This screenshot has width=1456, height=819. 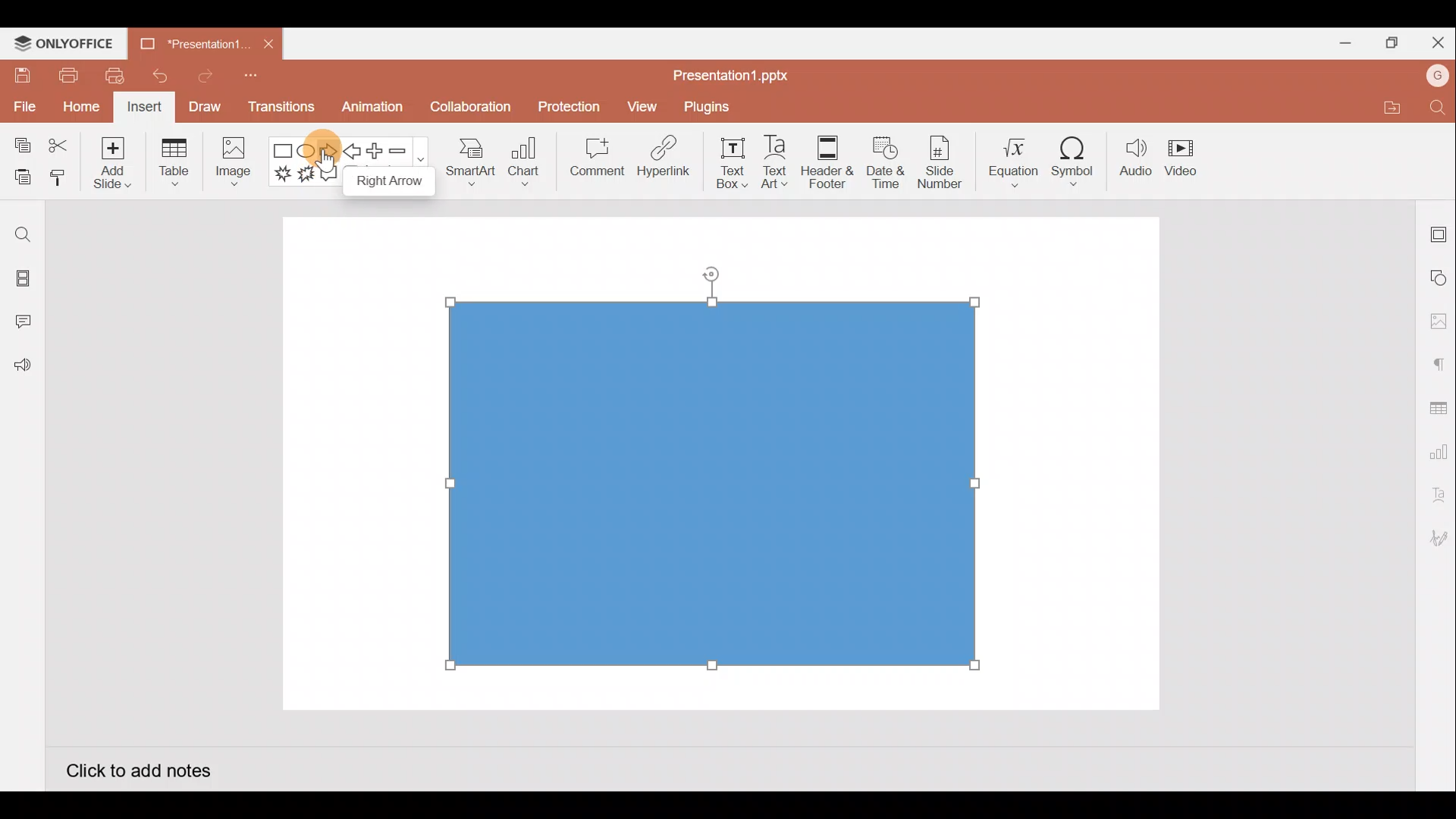 What do you see at coordinates (1439, 277) in the screenshot?
I see `Shape settings` at bounding box center [1439, 277].